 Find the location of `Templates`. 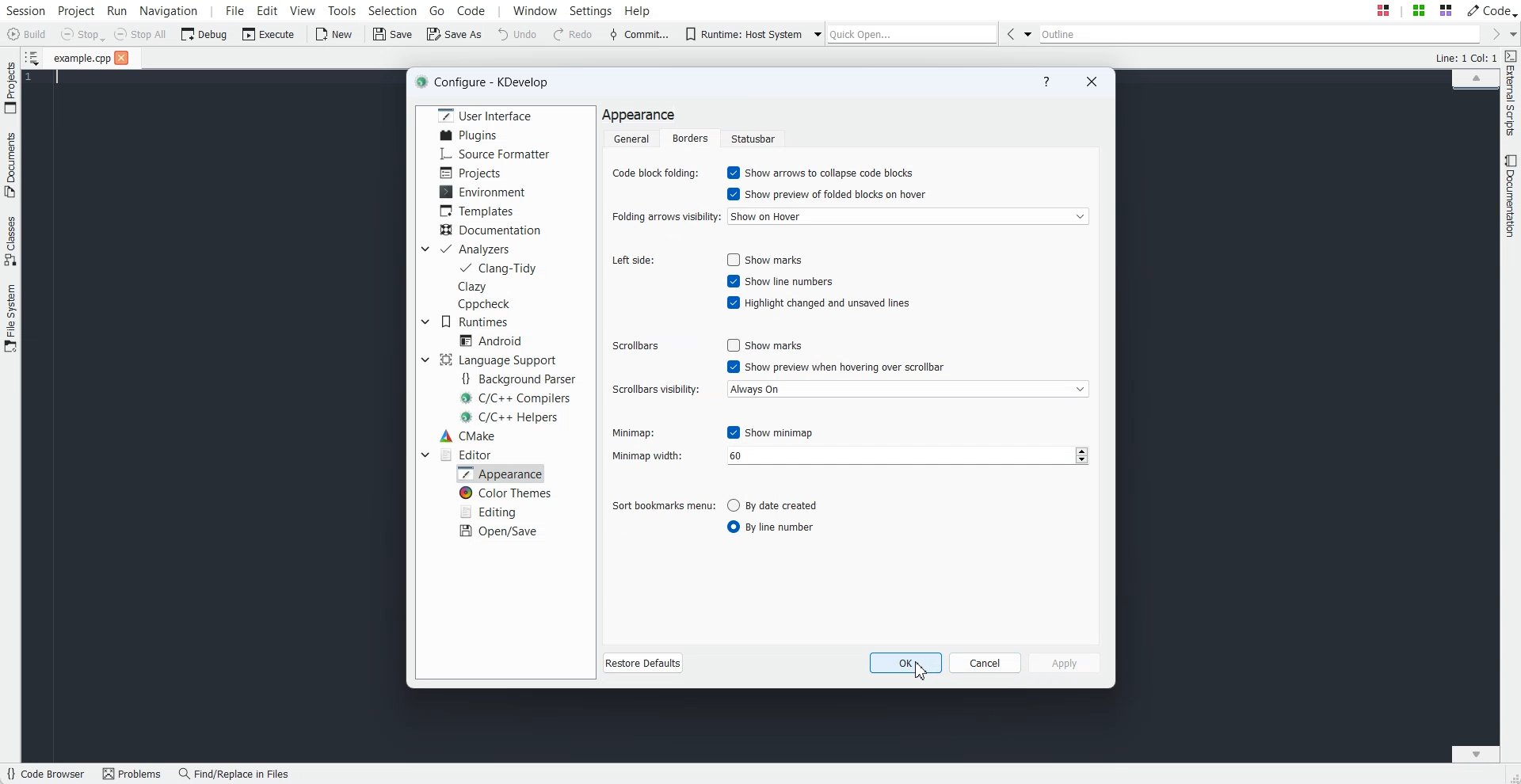

Templates is located at coordinates (478, 210).